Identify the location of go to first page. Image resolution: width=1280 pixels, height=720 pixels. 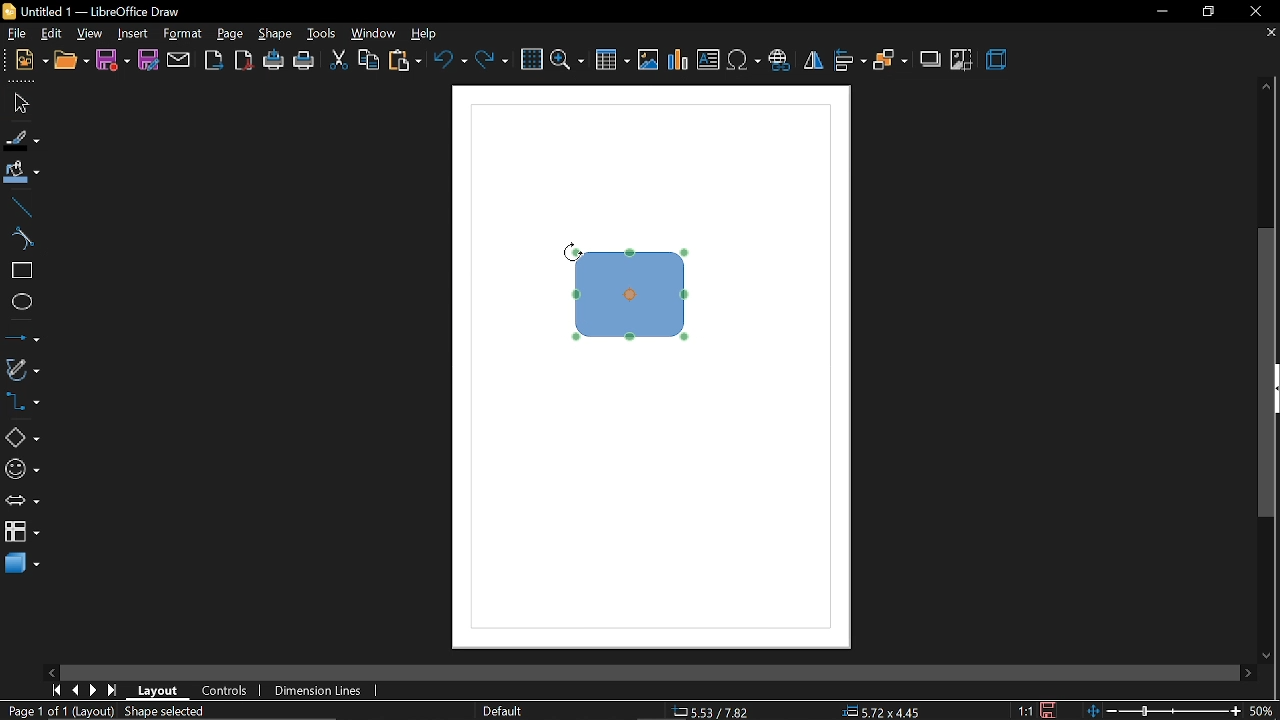
(54, 691).